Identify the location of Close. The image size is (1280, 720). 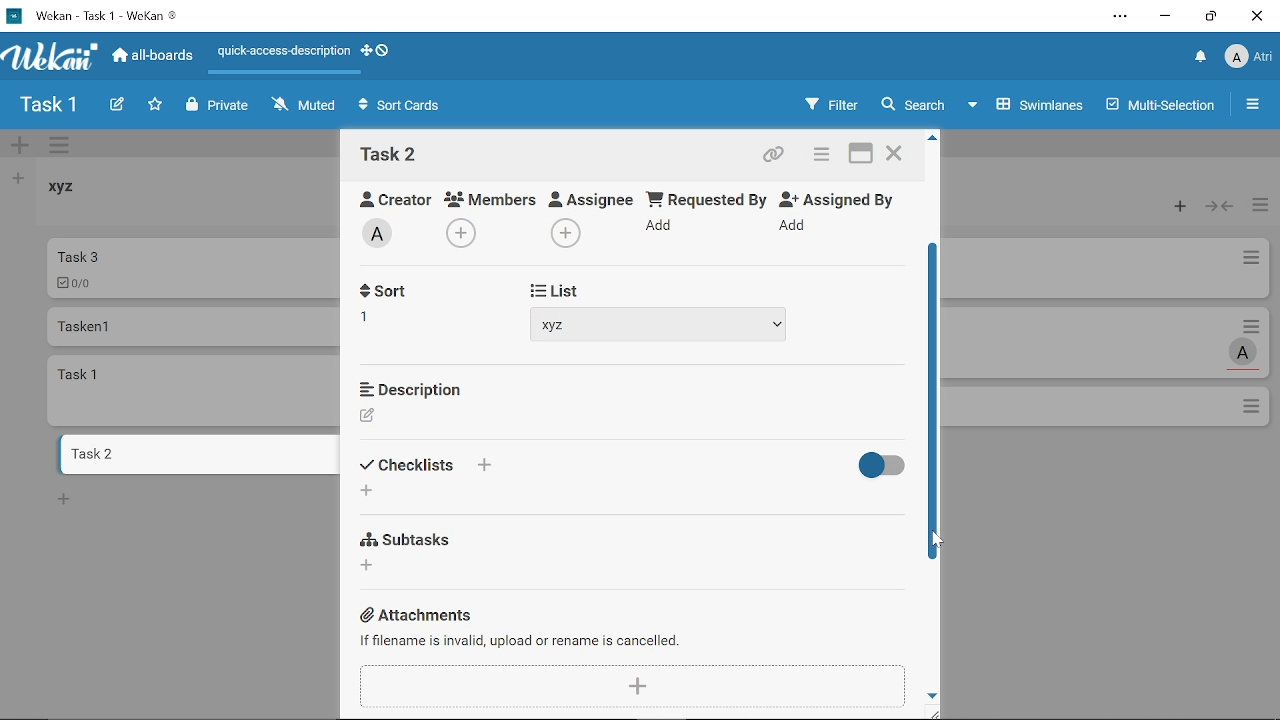
(1256, 16).